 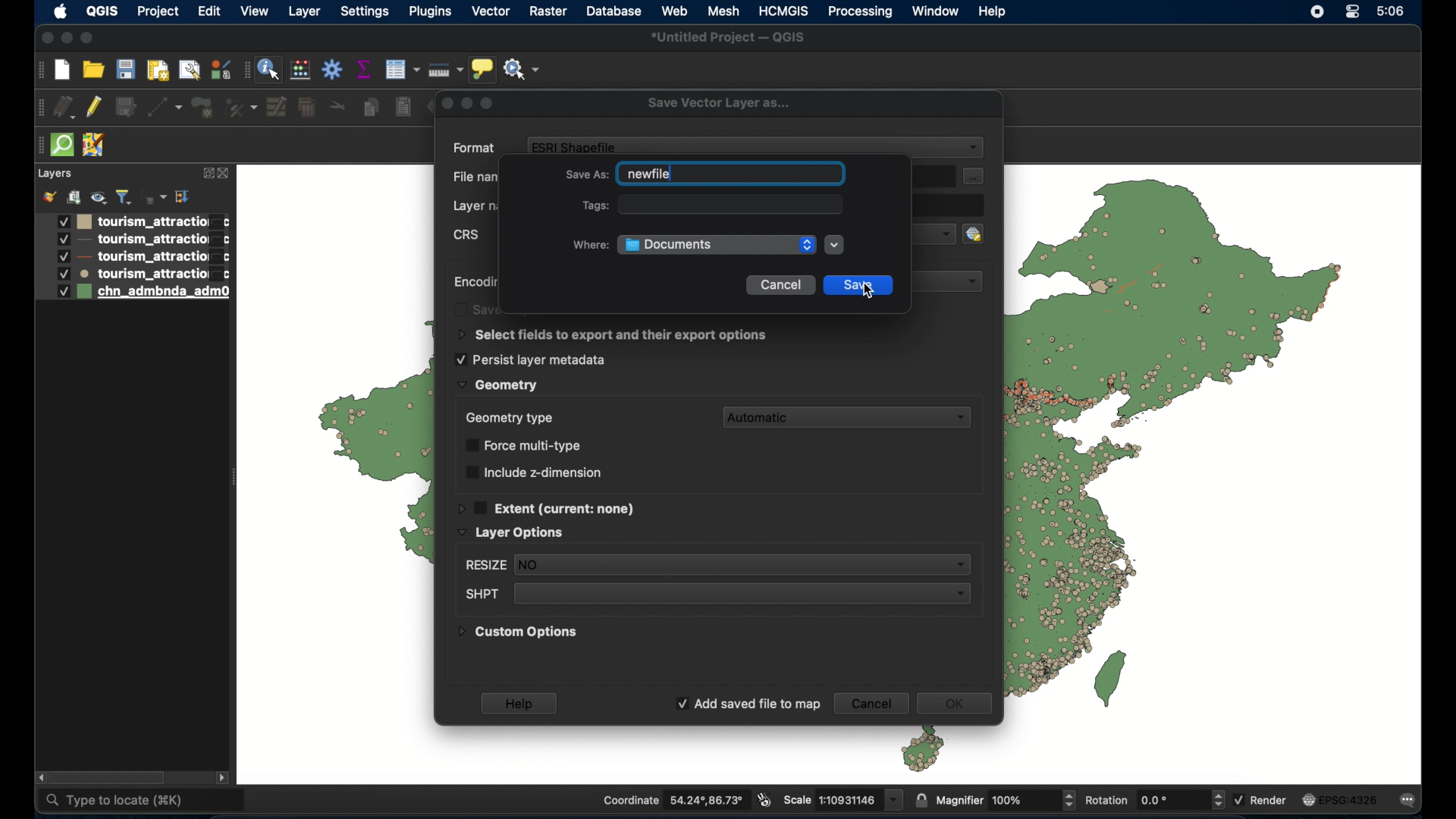 I want to click on open field calculator, so click(x=300, y=69).